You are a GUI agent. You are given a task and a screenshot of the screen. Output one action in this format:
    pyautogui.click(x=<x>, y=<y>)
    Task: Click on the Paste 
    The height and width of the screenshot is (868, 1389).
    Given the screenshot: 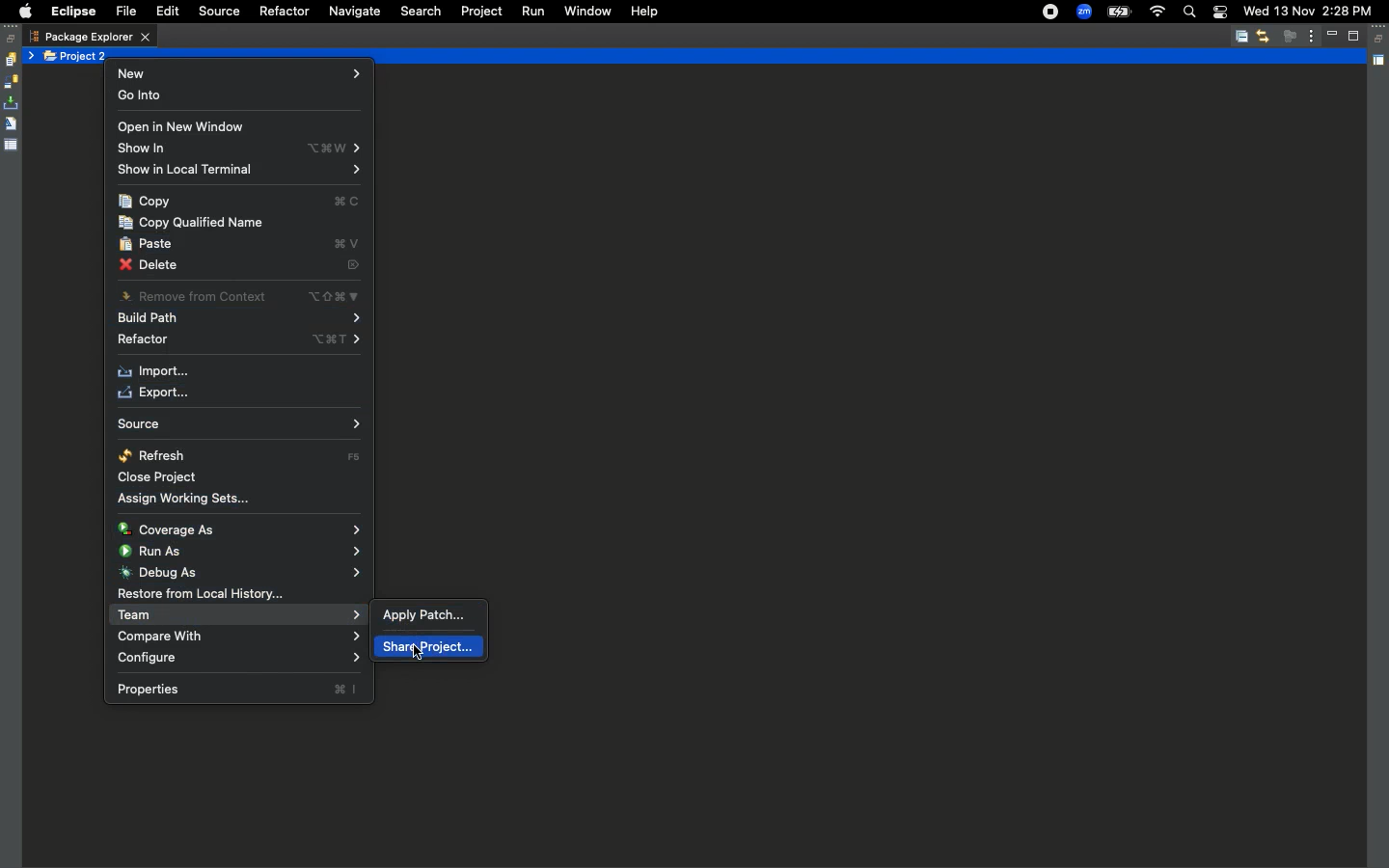 What is the action you would take?
    pyautogui.click(x=242, y=246)
    